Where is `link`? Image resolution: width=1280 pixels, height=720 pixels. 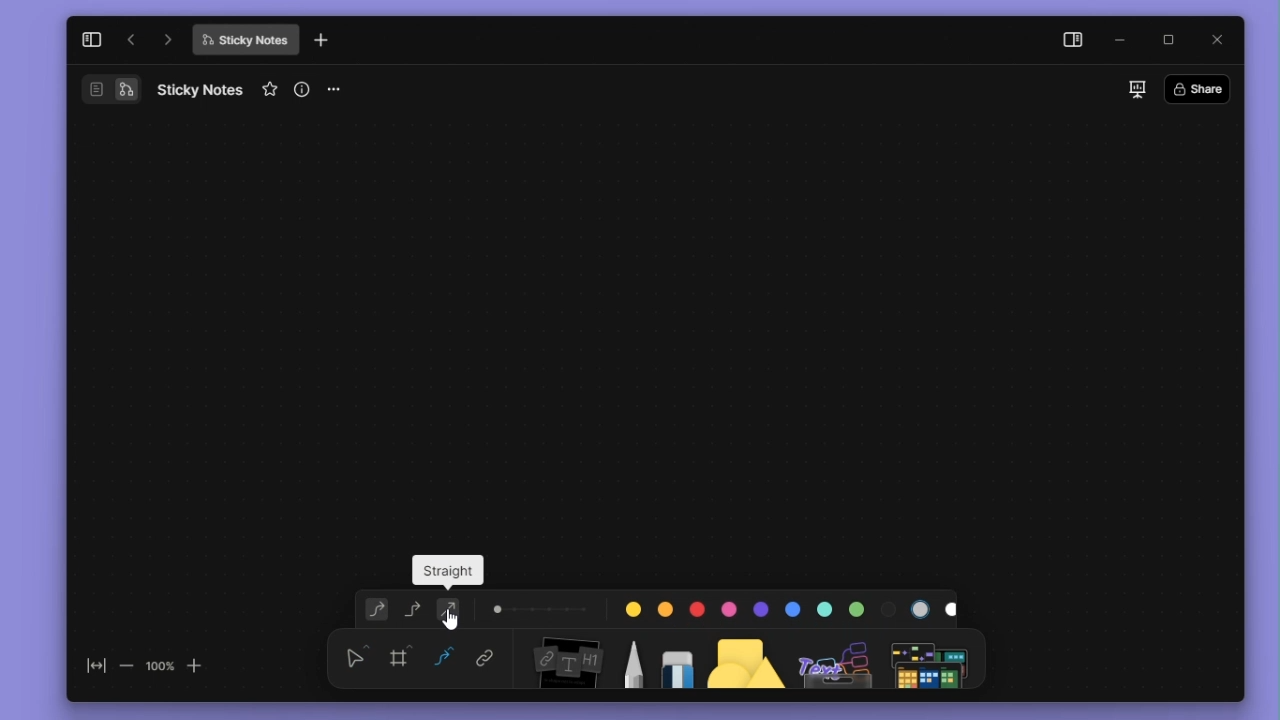 link is located at coordinates (485, 660).